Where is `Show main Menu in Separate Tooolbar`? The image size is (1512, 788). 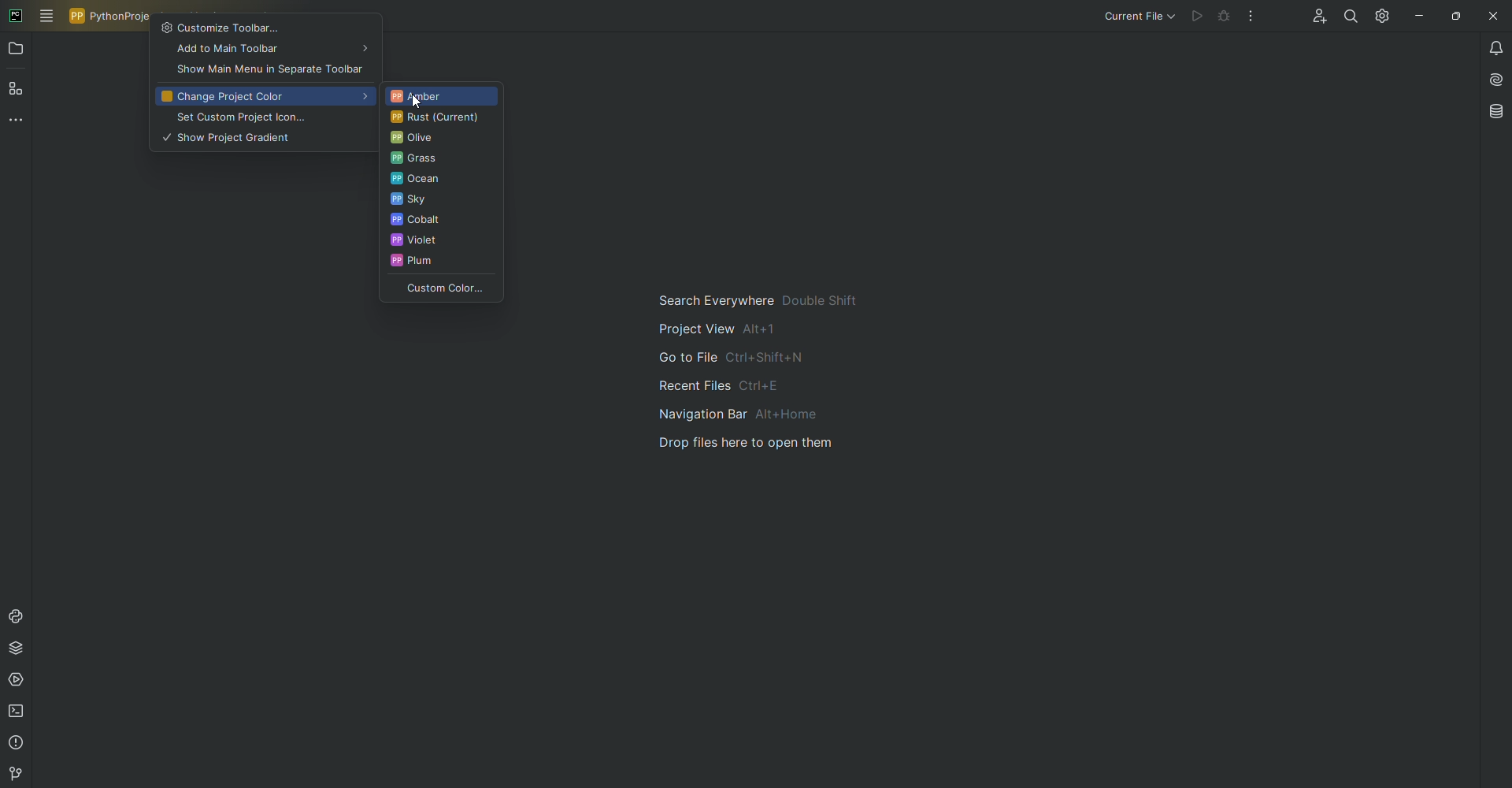 Show main Menu in Separate Tooolbar is located at coordinates (268, 70).